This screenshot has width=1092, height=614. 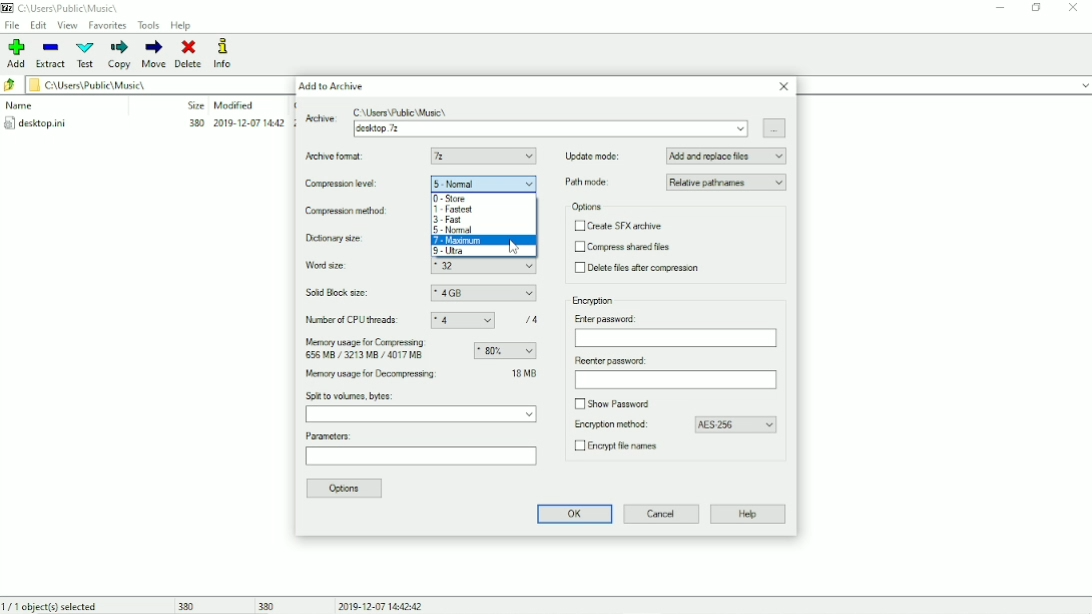 I want to click on AES-256, so click(x=736, y=425).